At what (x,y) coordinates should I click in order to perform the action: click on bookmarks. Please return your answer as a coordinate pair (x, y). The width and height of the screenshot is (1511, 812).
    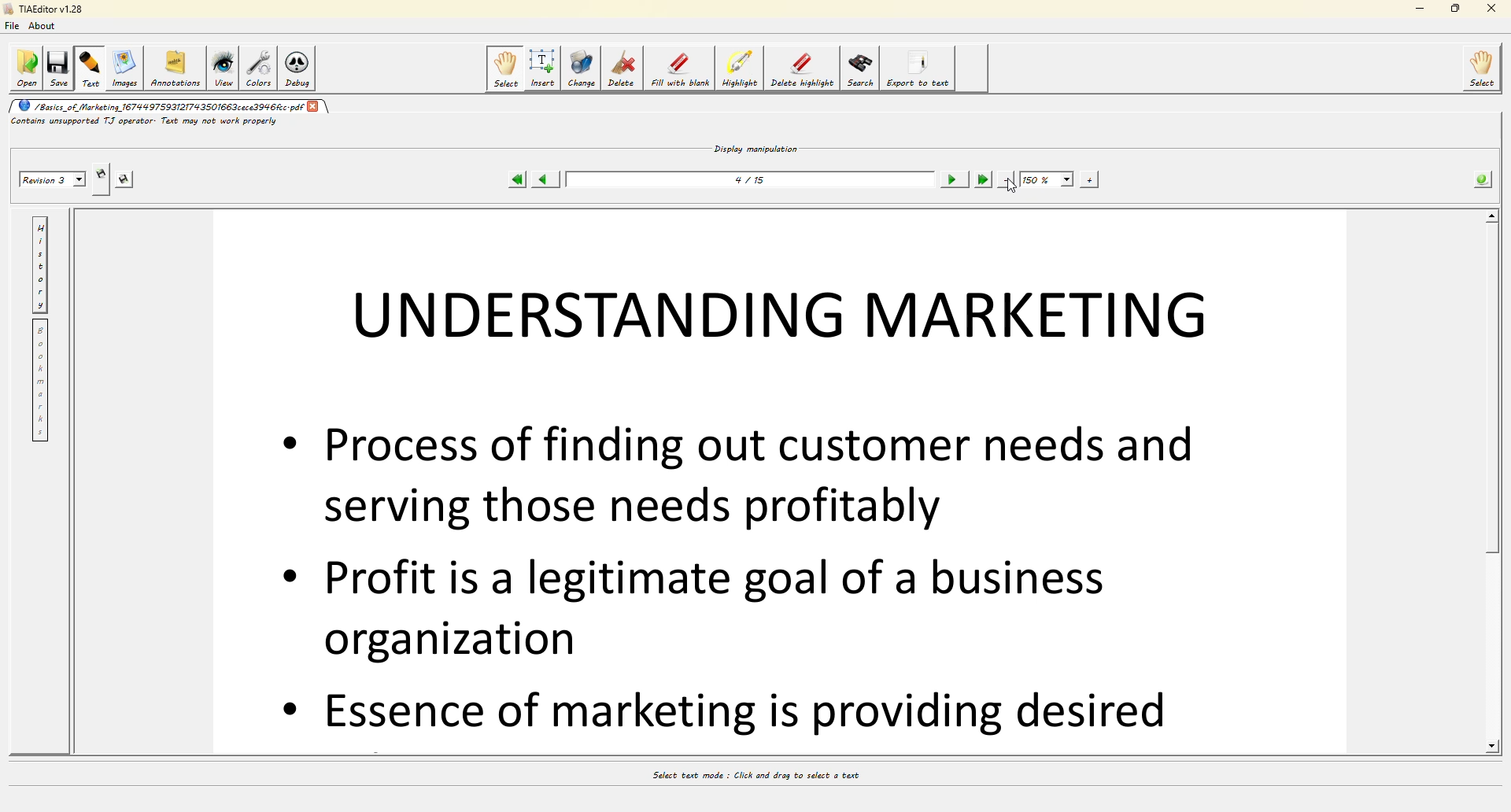
    Looking at the image, I should click on (42, 379).